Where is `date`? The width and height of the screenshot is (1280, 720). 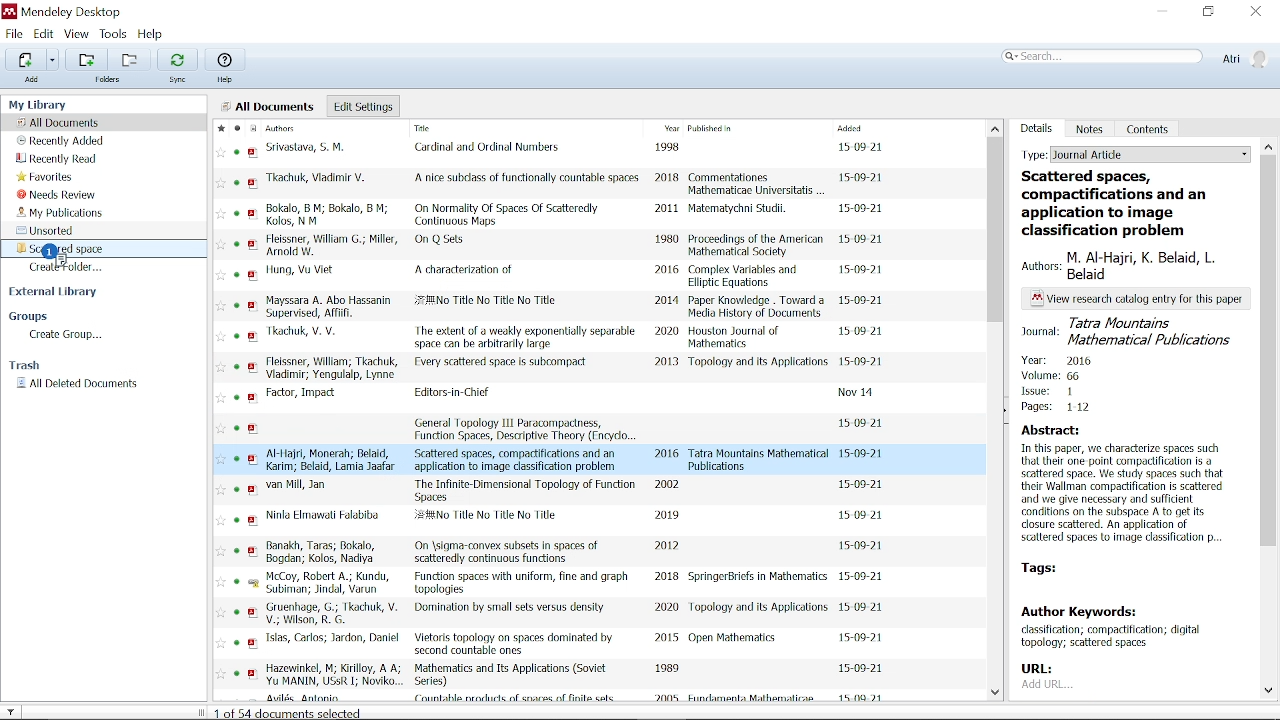
date is located at coordinates (864, 301).